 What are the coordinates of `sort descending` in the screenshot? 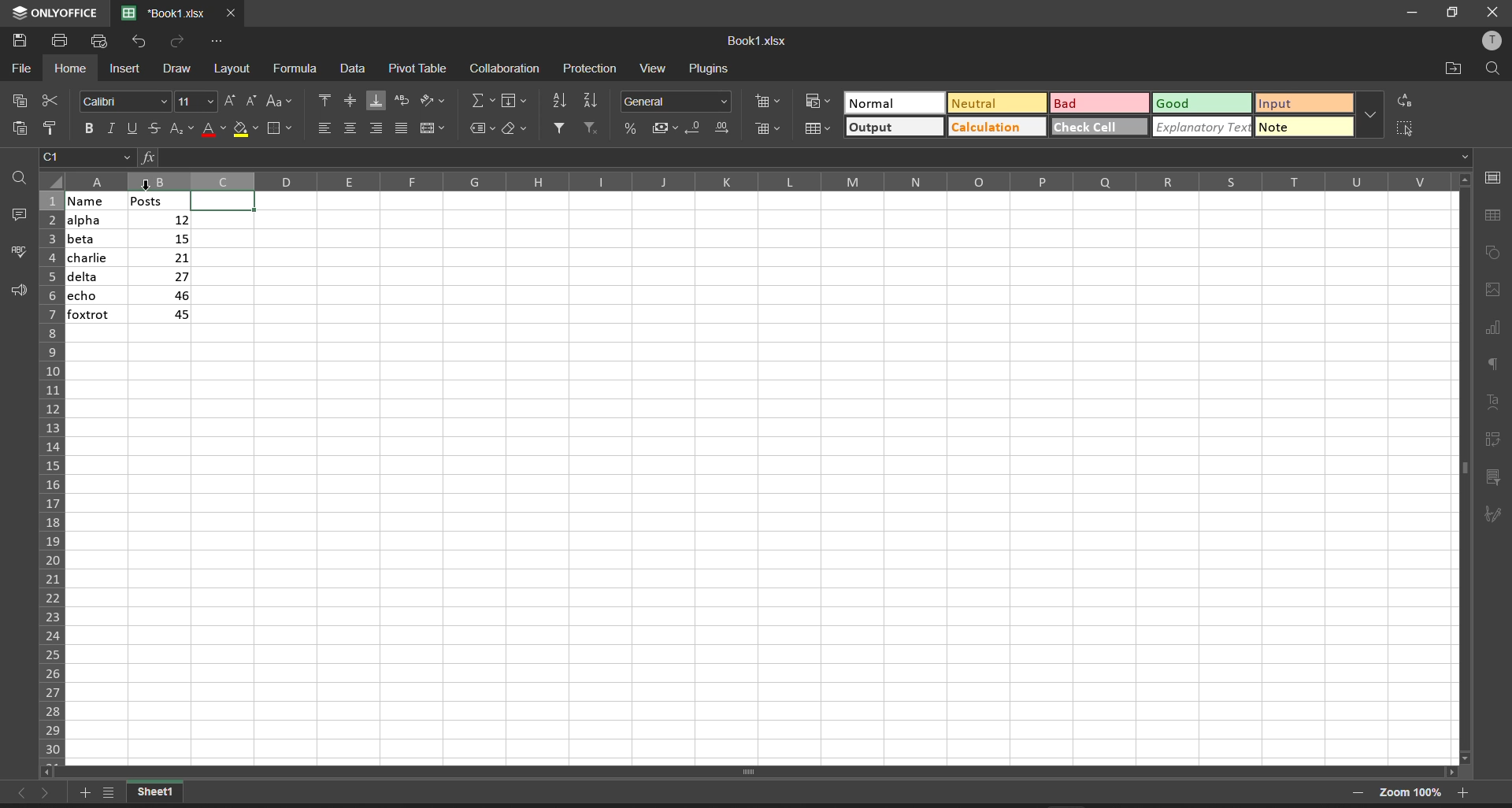 It's located at (592, 101).